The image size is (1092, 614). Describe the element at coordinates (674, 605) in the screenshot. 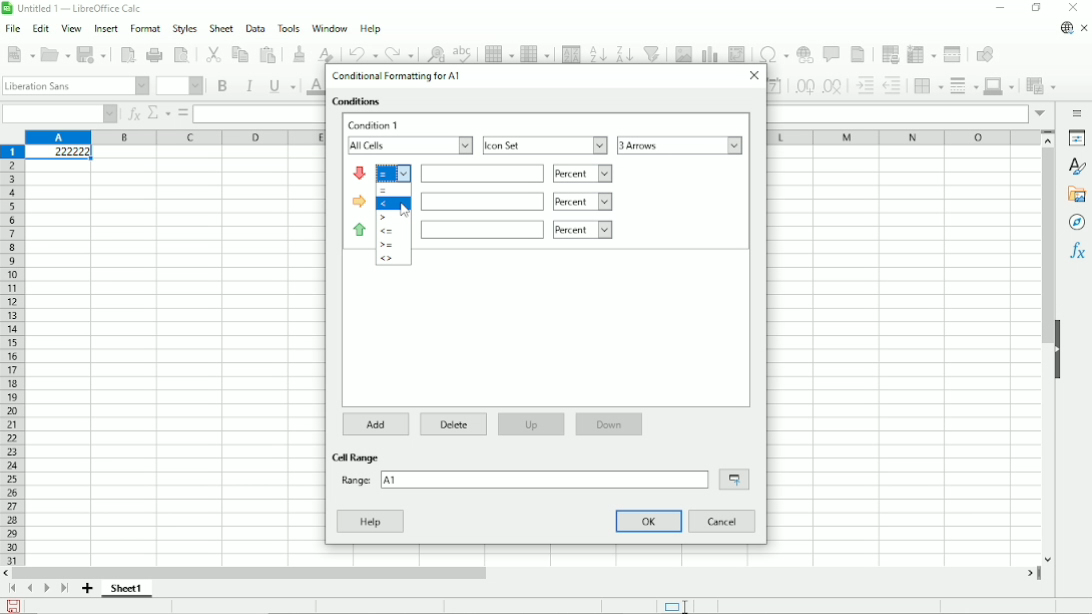

I see `Standard selection` at that location.